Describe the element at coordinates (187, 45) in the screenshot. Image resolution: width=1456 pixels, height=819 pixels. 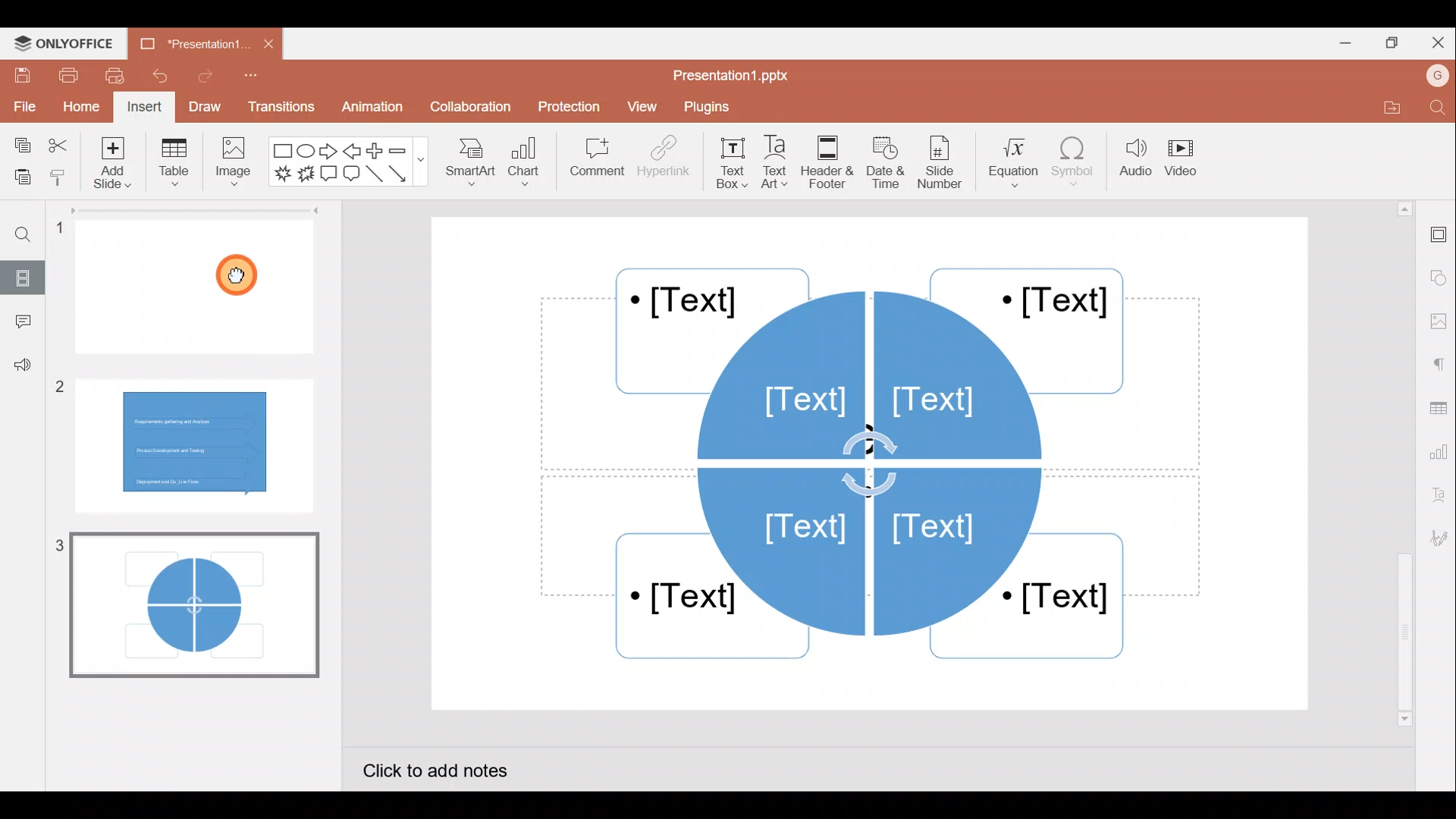
I see `Presentation1.` at that location.